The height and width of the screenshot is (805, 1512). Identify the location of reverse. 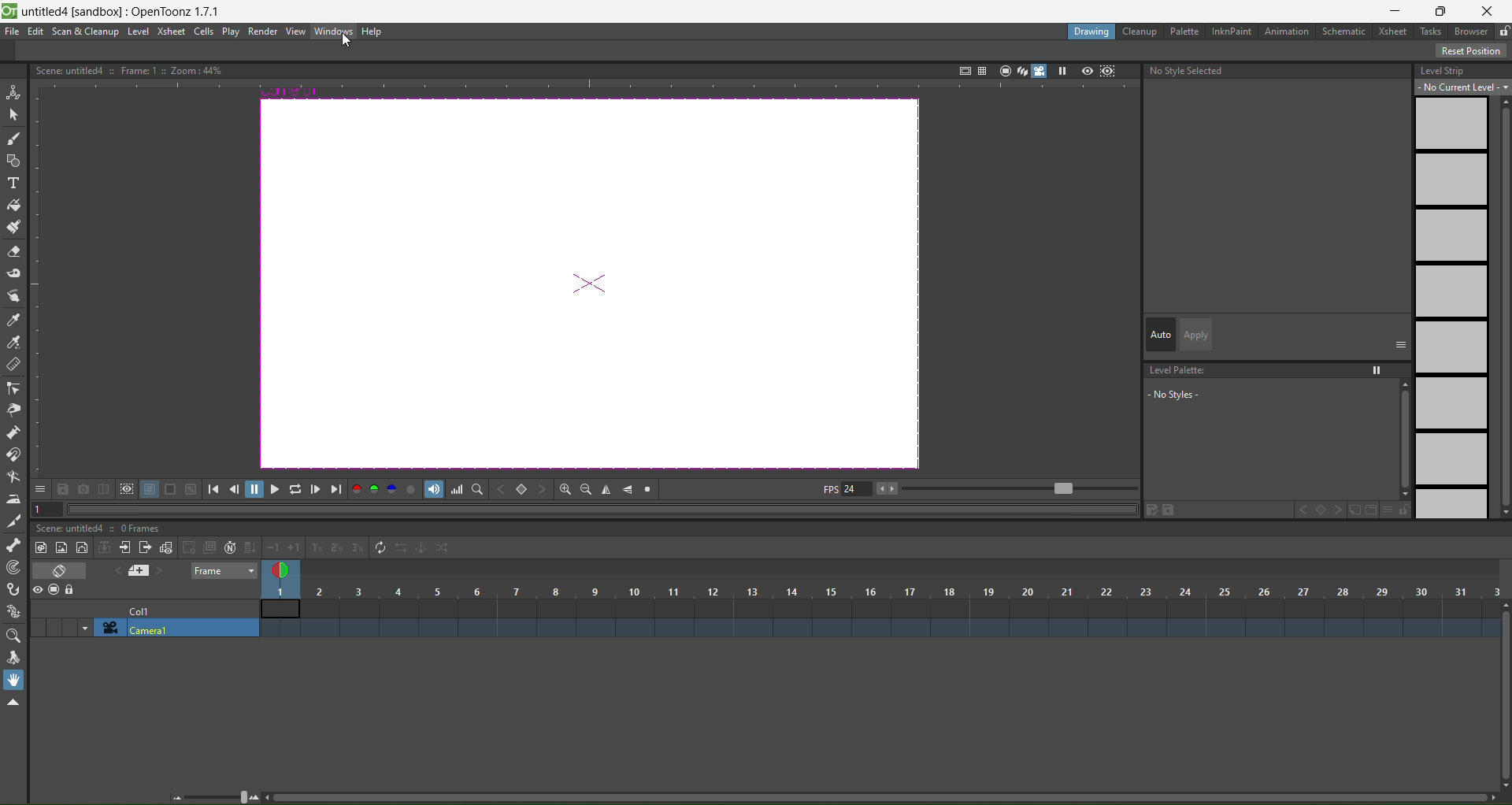
(400, 549).